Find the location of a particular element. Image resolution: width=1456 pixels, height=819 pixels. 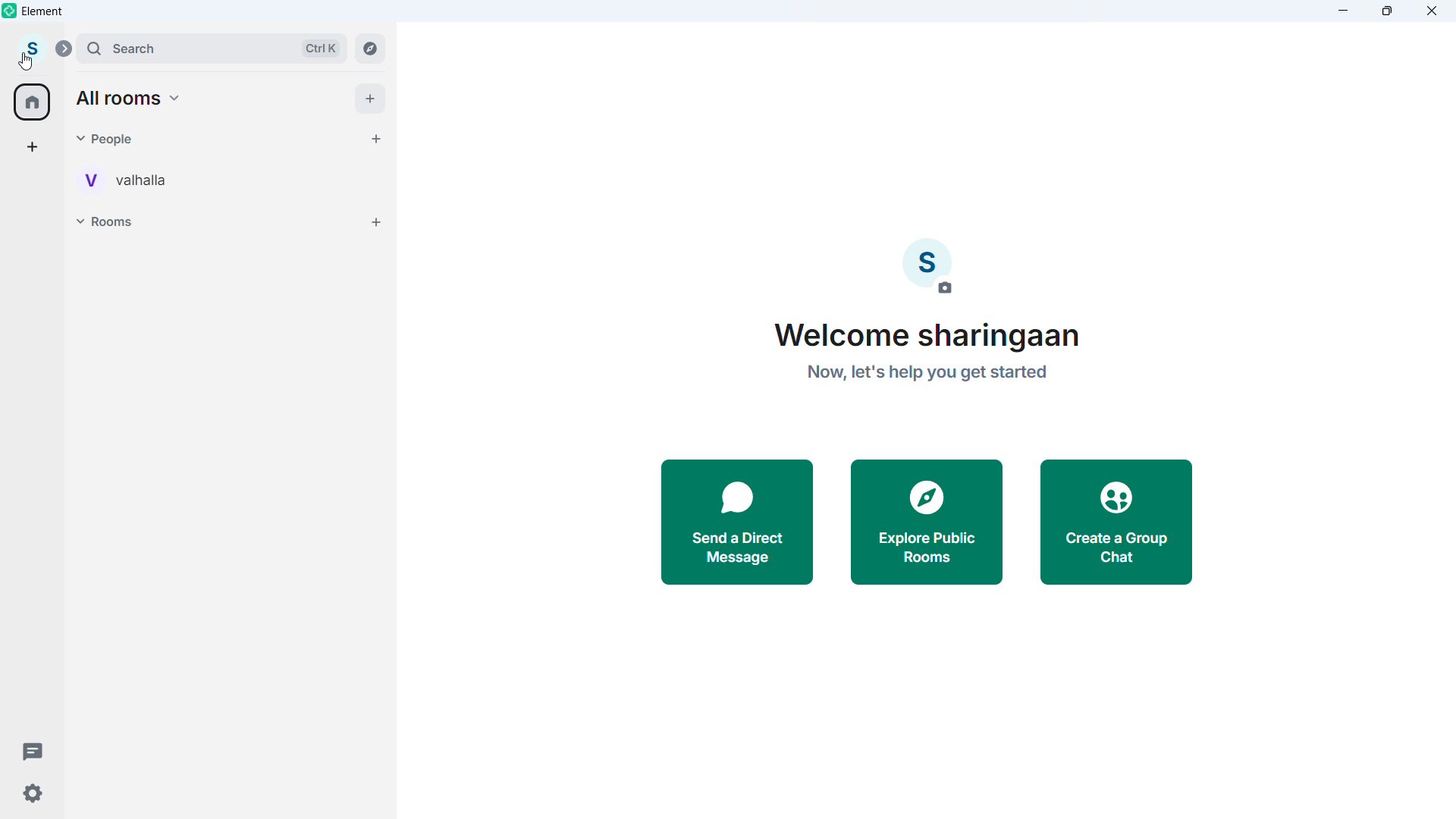

Pople is located at coordinates (108, 140).